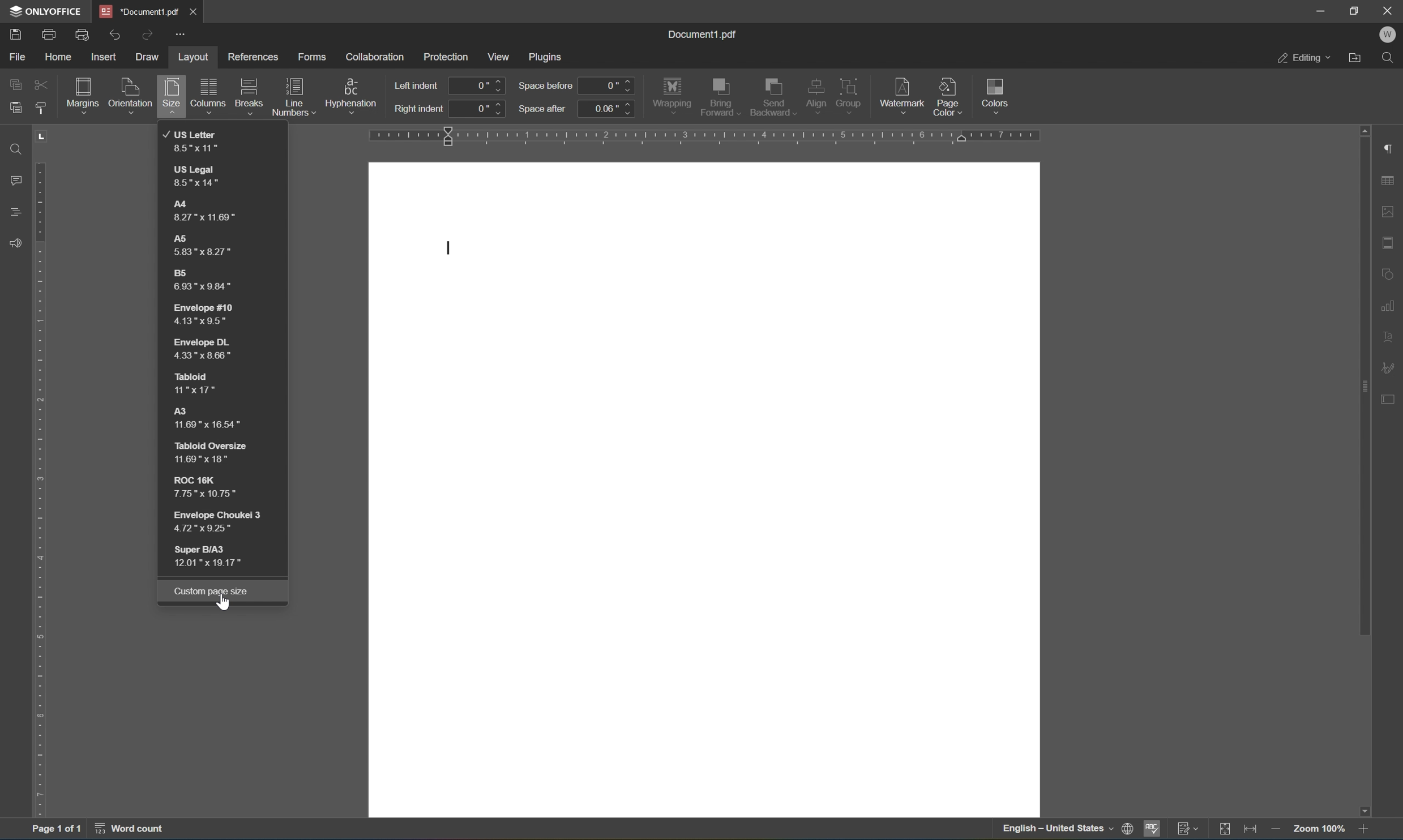 The height and width of the screenshot is (840, 1403). Describe the element at coordinates (150, 33) in the screenshot. I see `redo` at that location.